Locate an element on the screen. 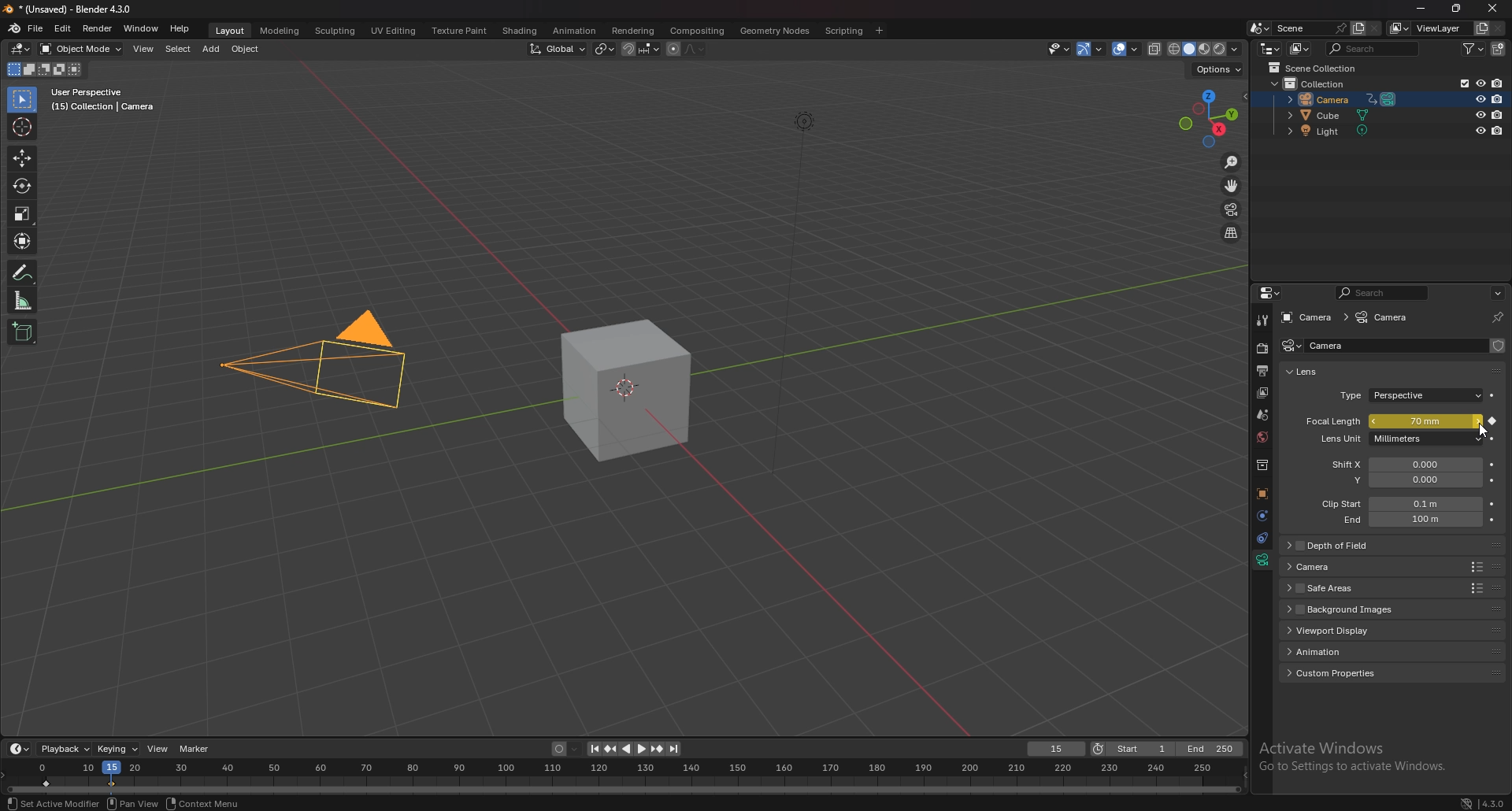 This screenshot has height=811, width=1512. camera is located at coordinates (1385, 318).